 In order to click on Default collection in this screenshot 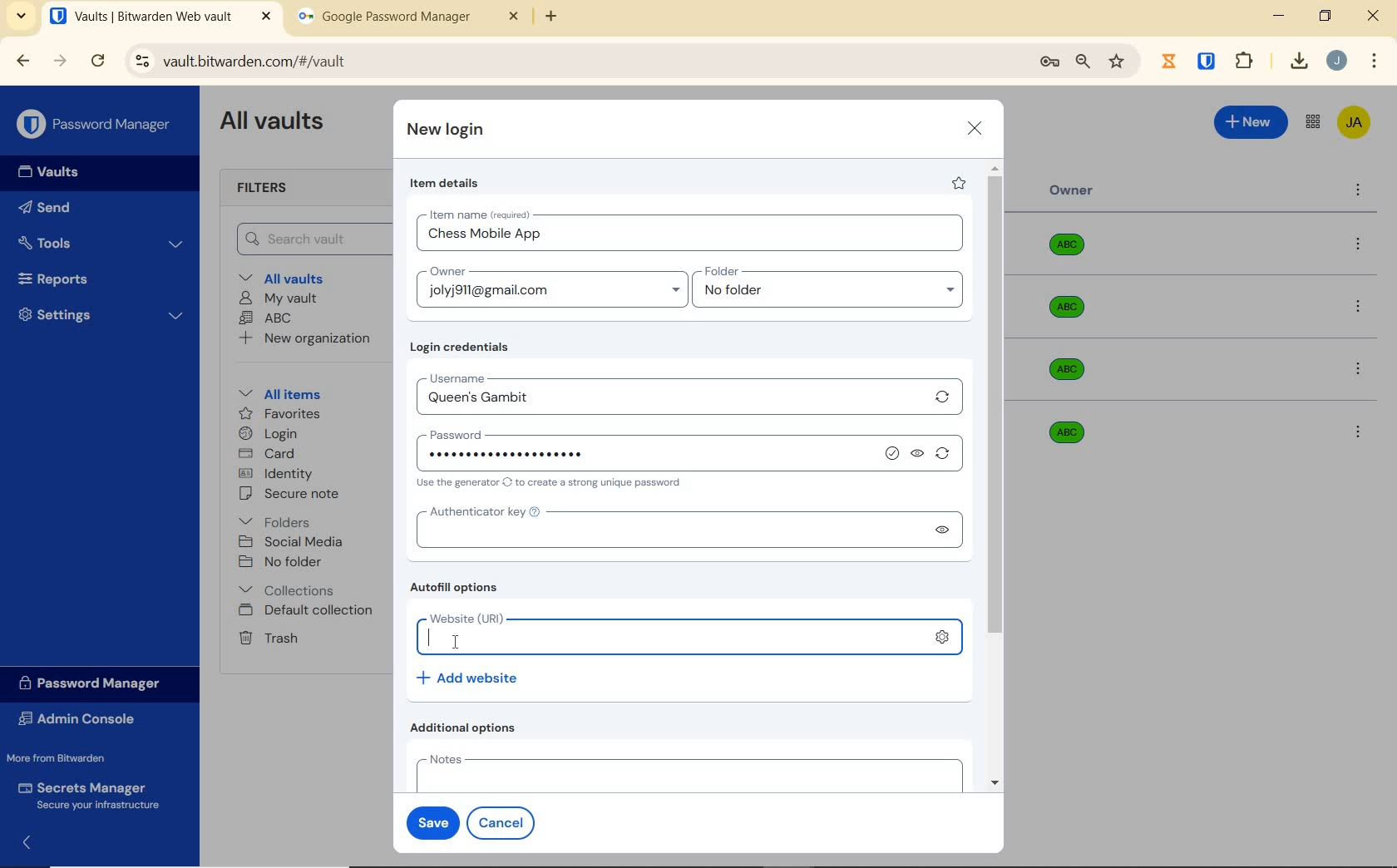, I will do `click(309, 611)`.